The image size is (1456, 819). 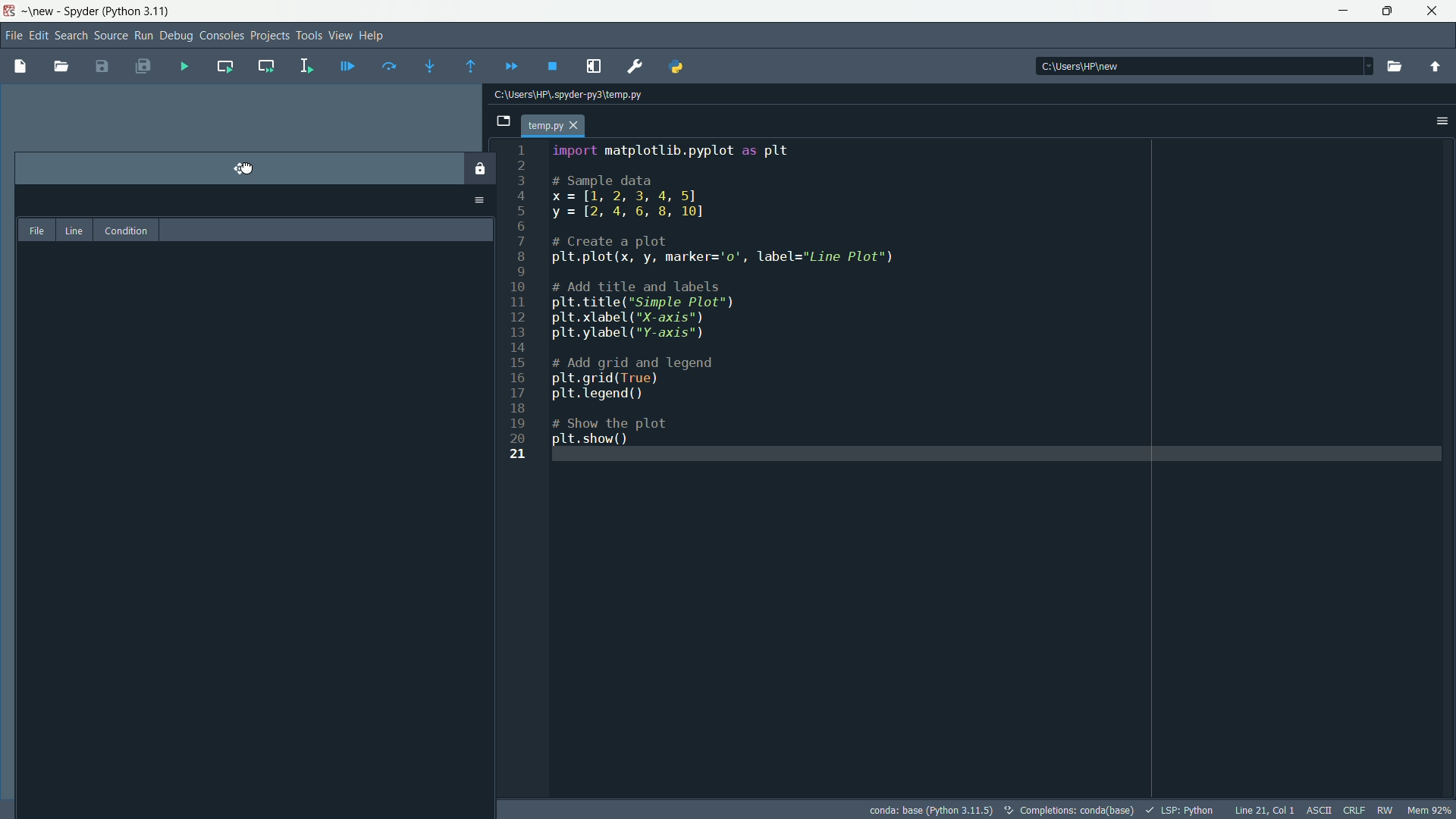 I want to click on run selection, so click(x=305, y=65).